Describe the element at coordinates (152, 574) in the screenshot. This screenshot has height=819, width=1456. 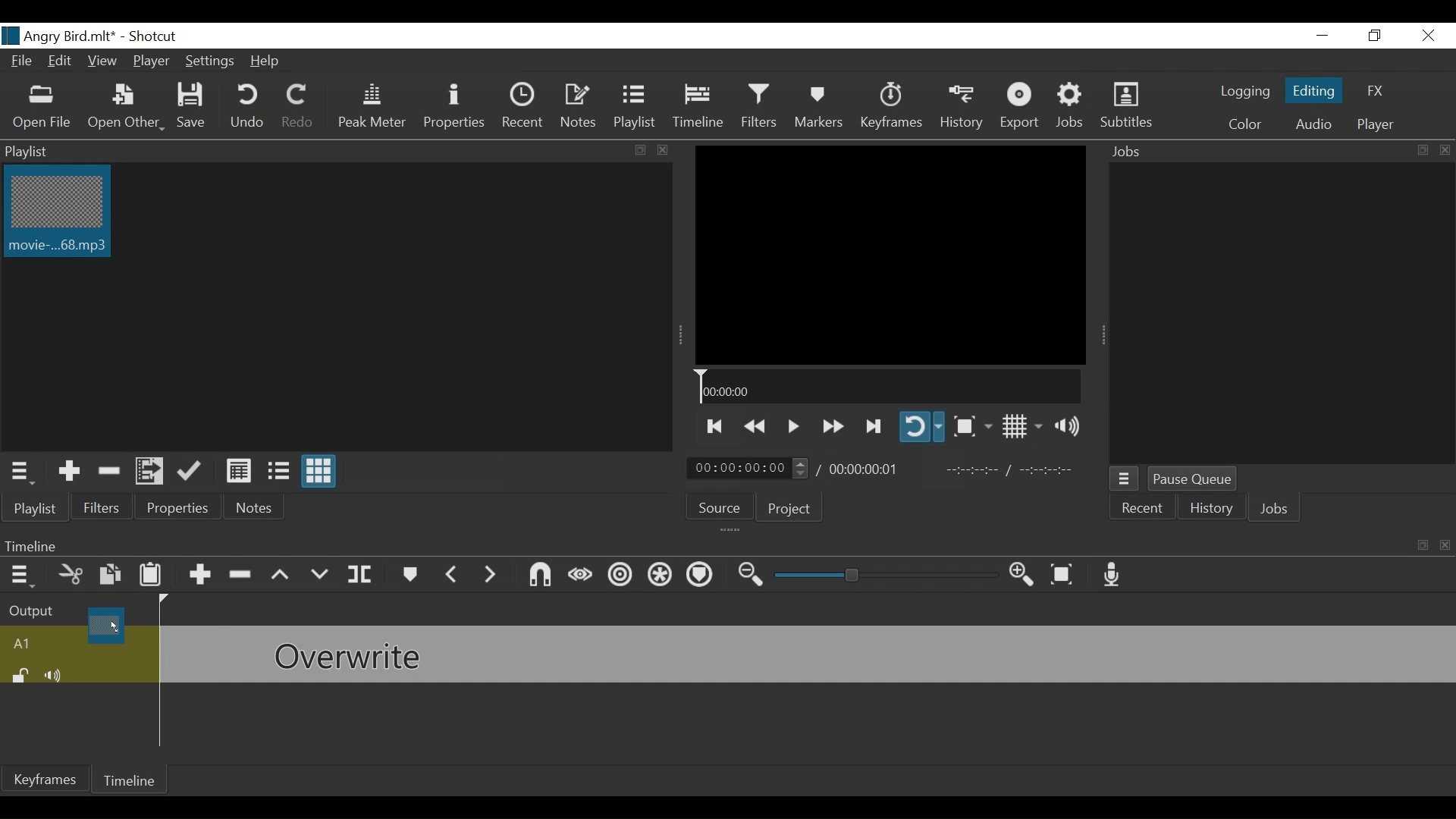
I see `Paste` at that location.